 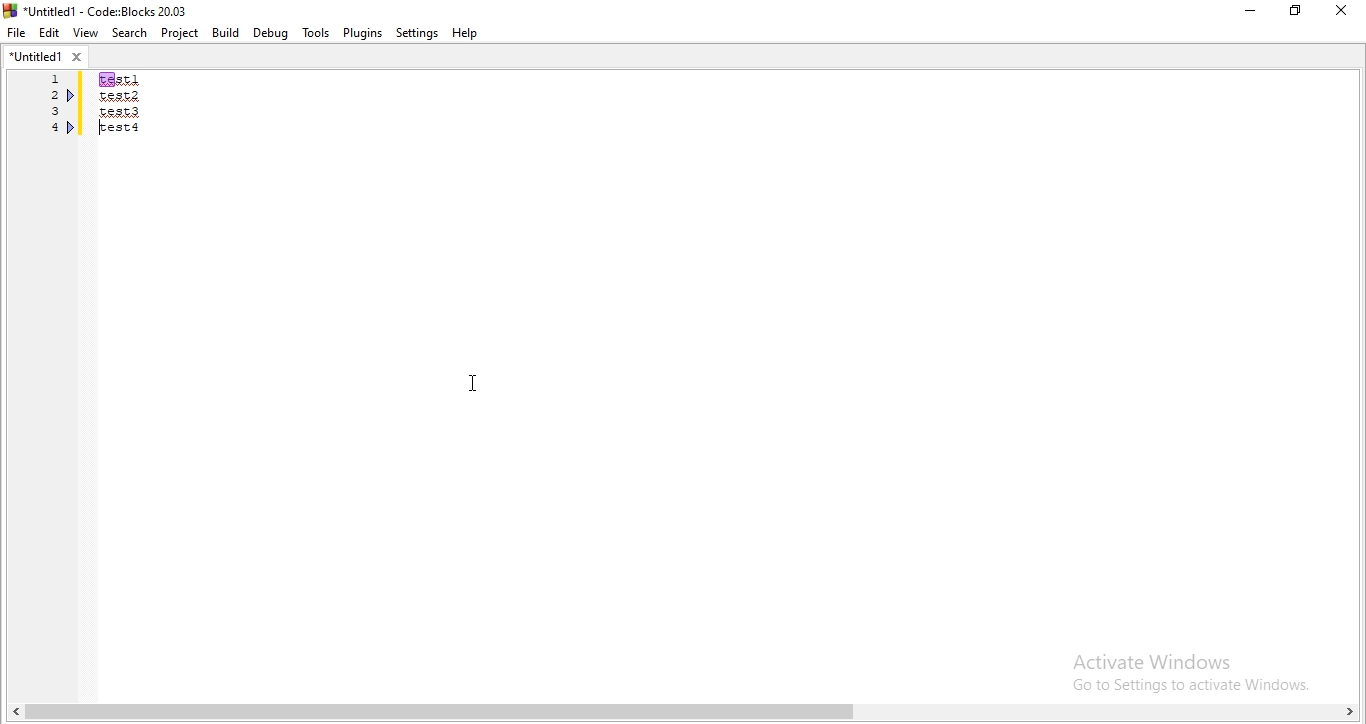 I want to click on 1,2,3,4,5, so click(x=49, y=118).